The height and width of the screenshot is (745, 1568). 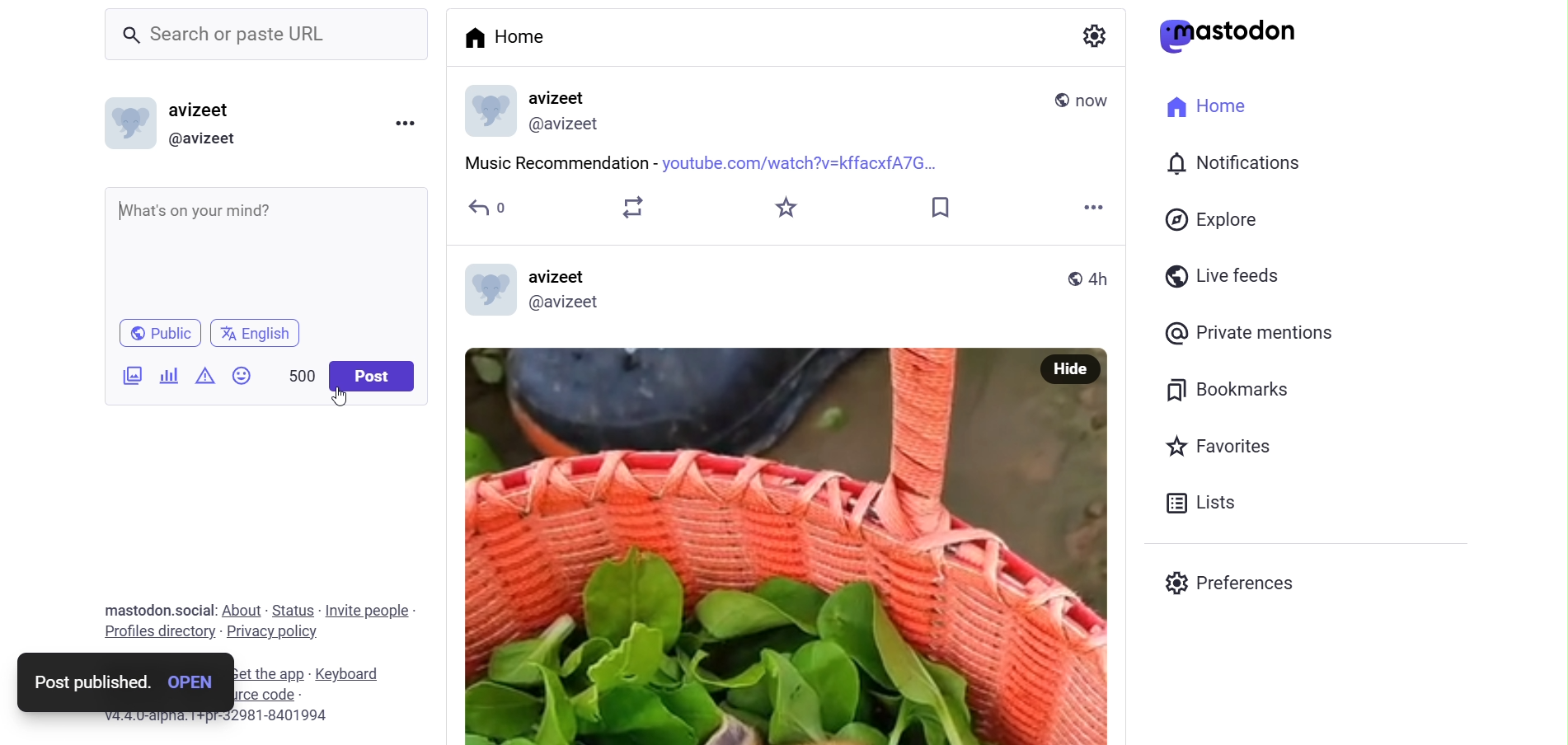 I want to click on Profile picture, so click(x=129, y=124).